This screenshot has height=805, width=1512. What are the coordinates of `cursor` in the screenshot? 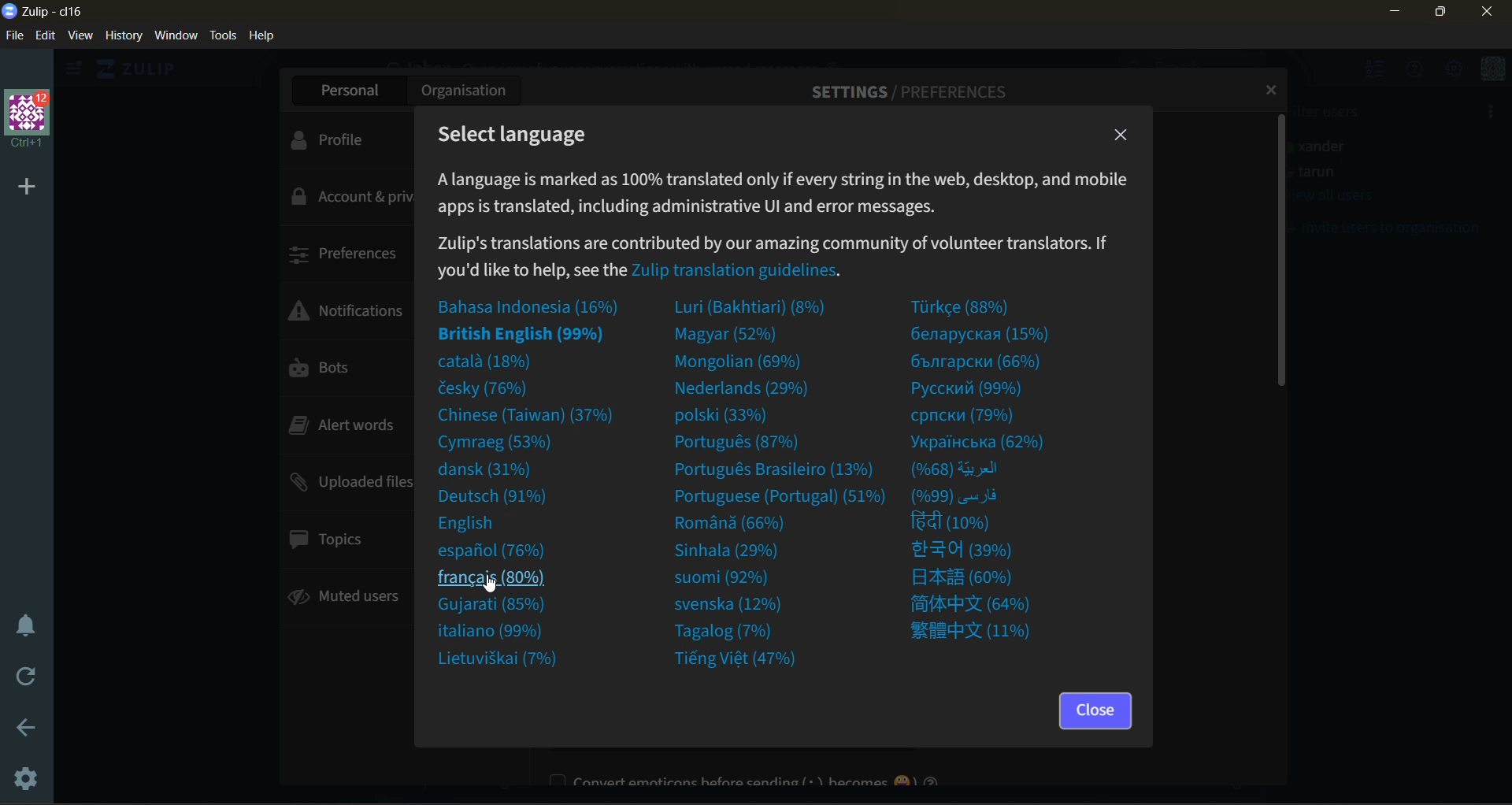 It's located at (496, 585).